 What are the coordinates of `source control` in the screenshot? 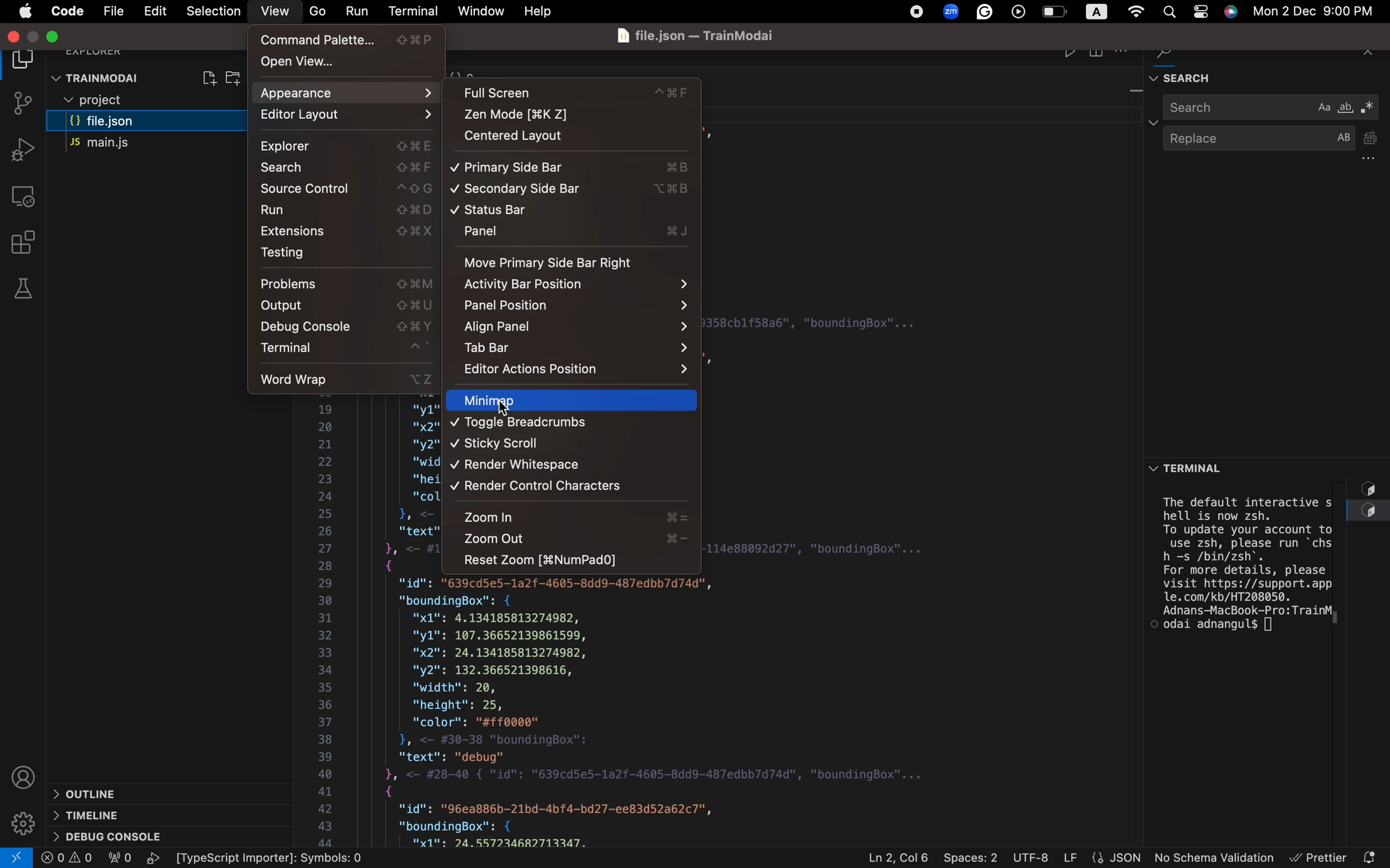 It's located at (349, 188).